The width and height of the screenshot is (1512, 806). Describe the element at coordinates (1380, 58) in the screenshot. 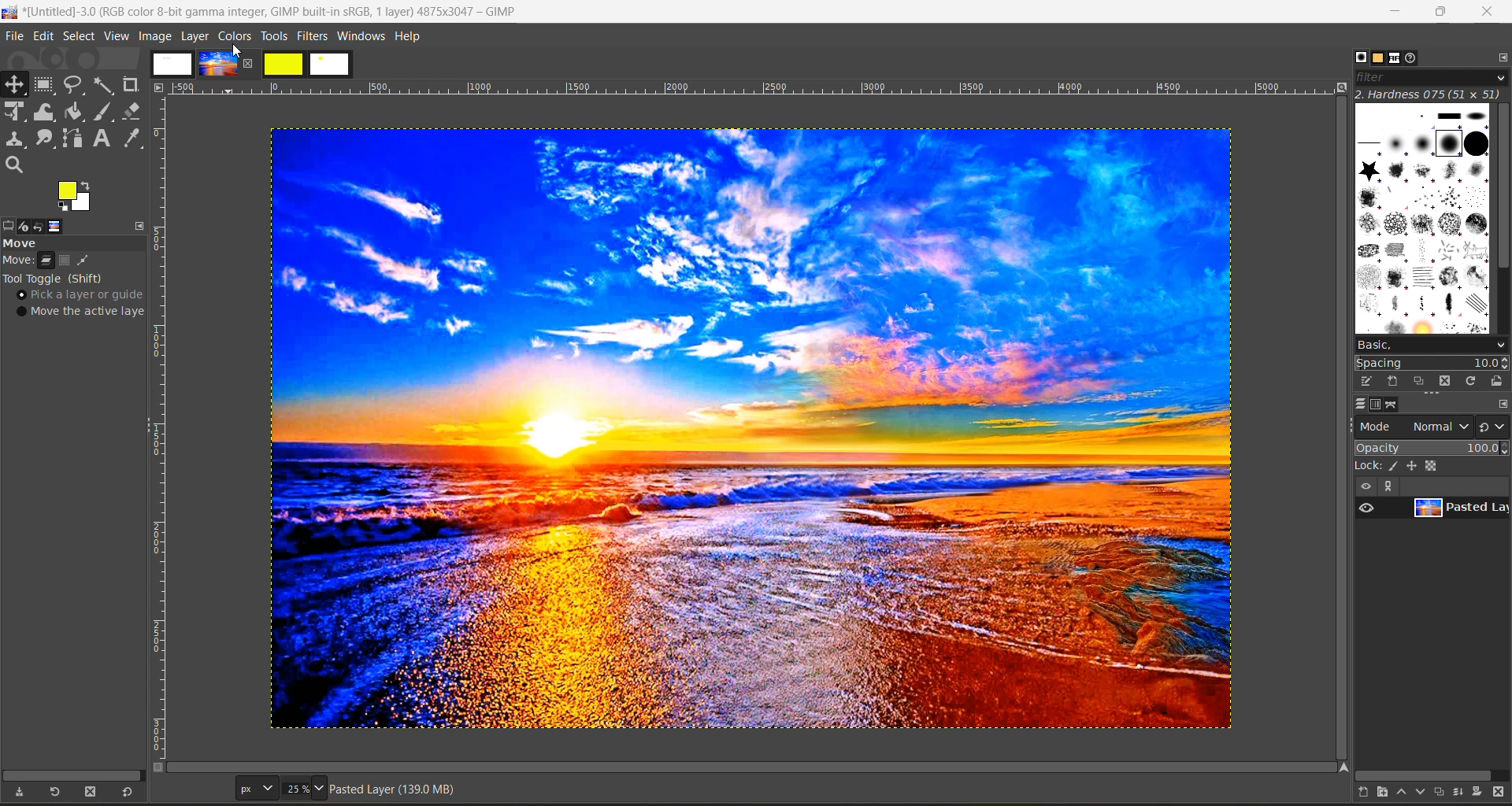

I see `patterns` at that location.